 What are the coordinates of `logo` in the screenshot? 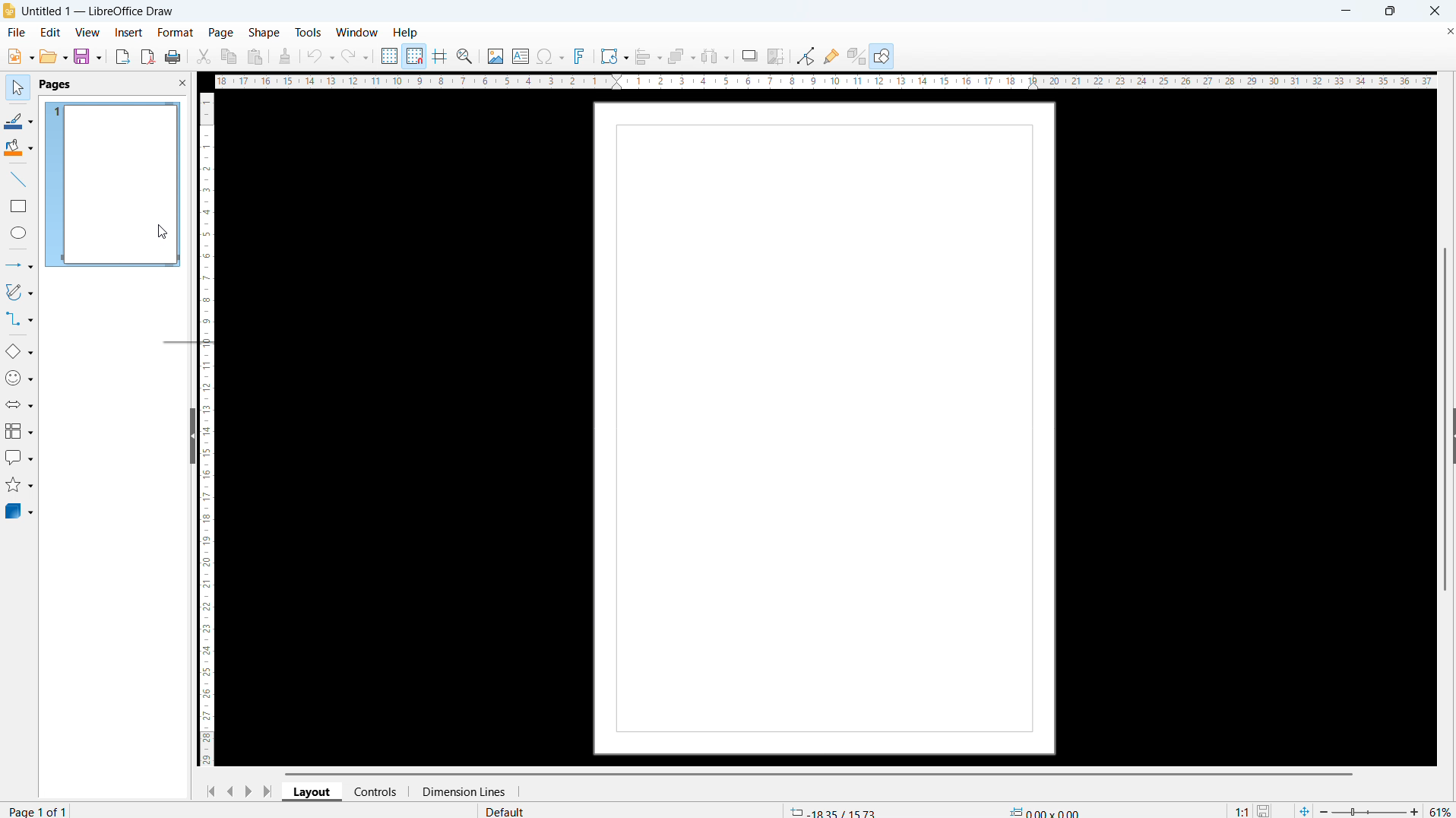 It's located at (9, 11).